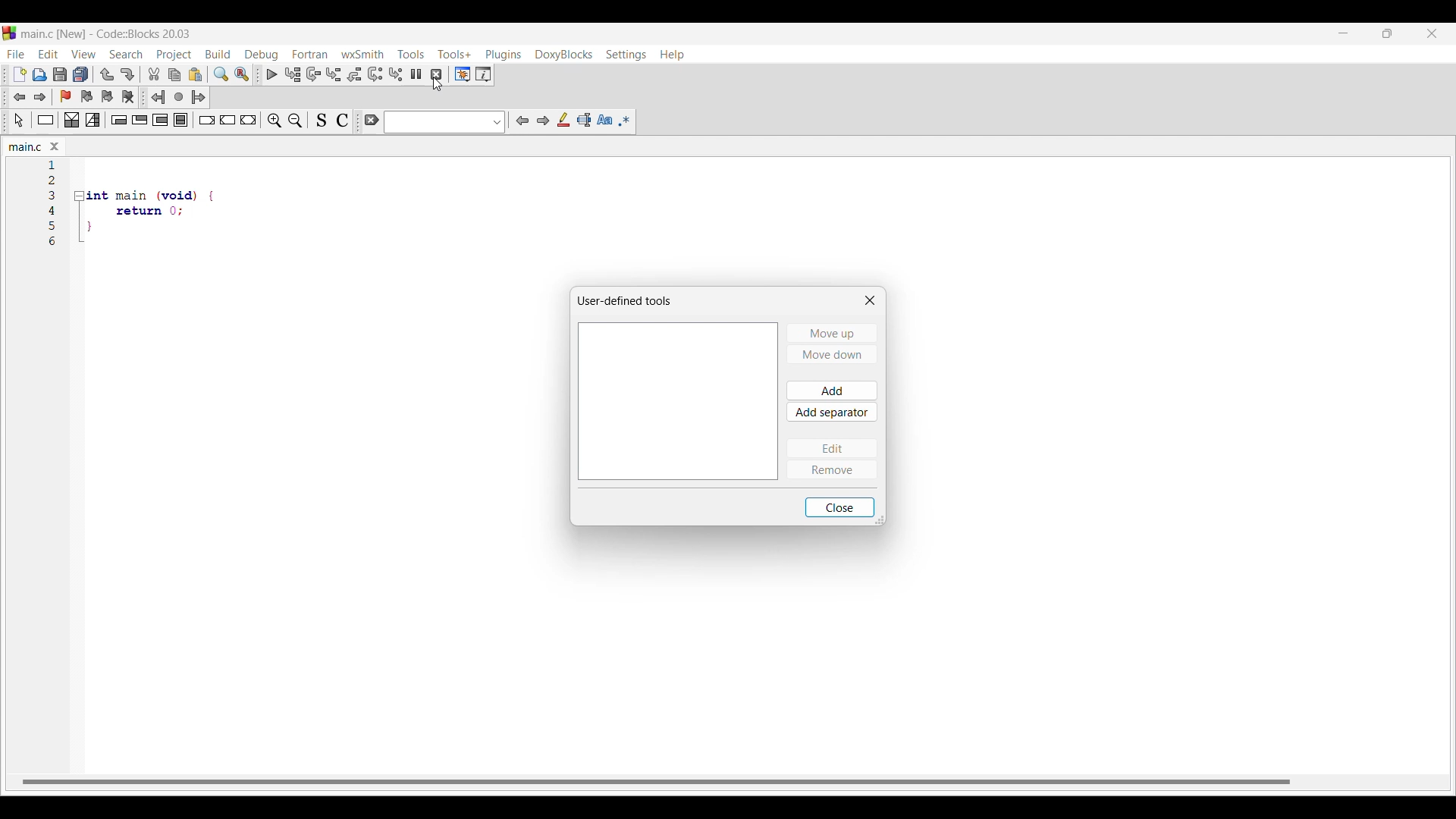 The width and height of the screenshot is (1456, 819). I want to click on Remove, so click(833, 469).